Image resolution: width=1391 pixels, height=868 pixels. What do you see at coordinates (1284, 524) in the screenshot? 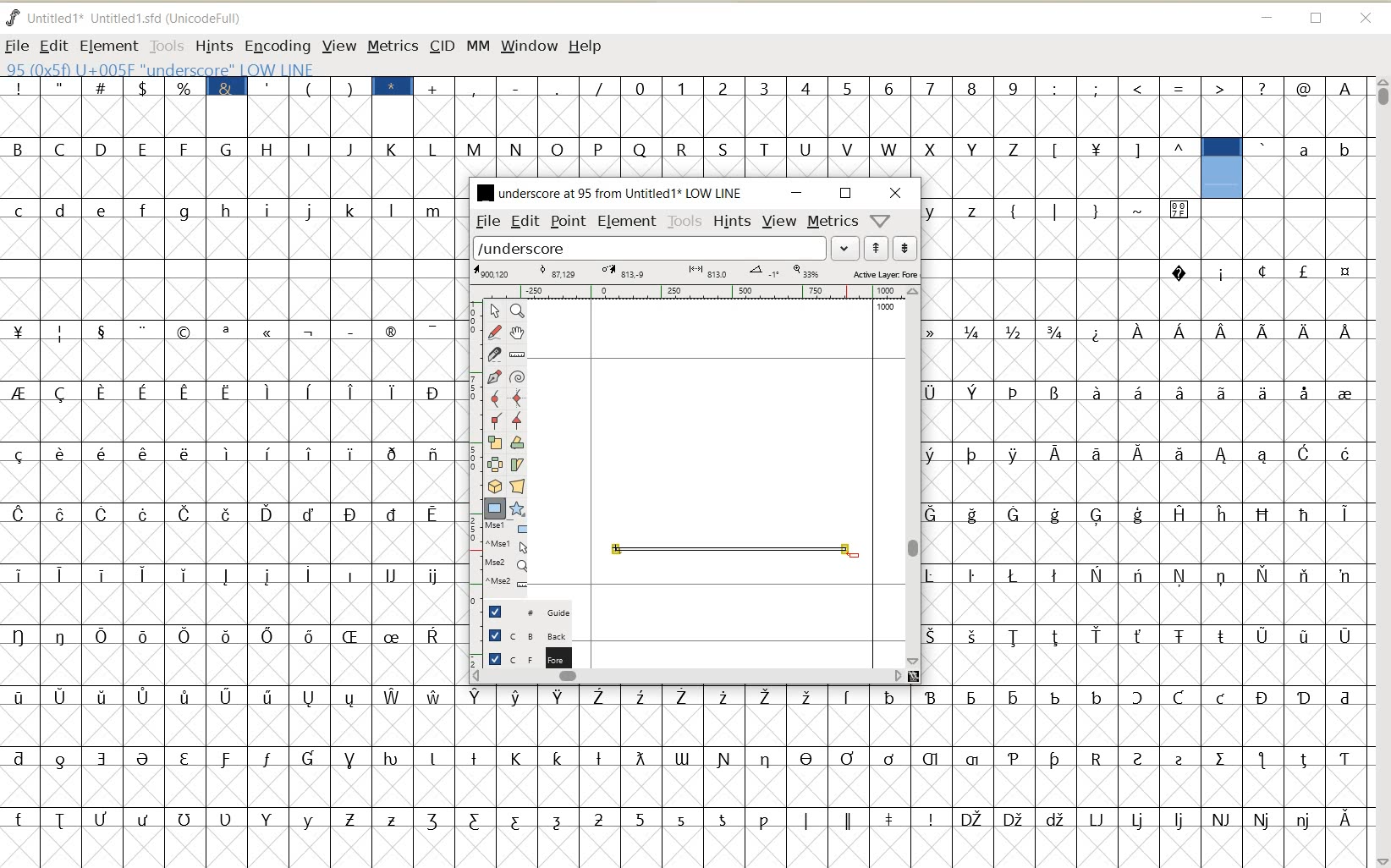
I see `GLYPHY CHARACTERS` at bounding box center [1284, 524].